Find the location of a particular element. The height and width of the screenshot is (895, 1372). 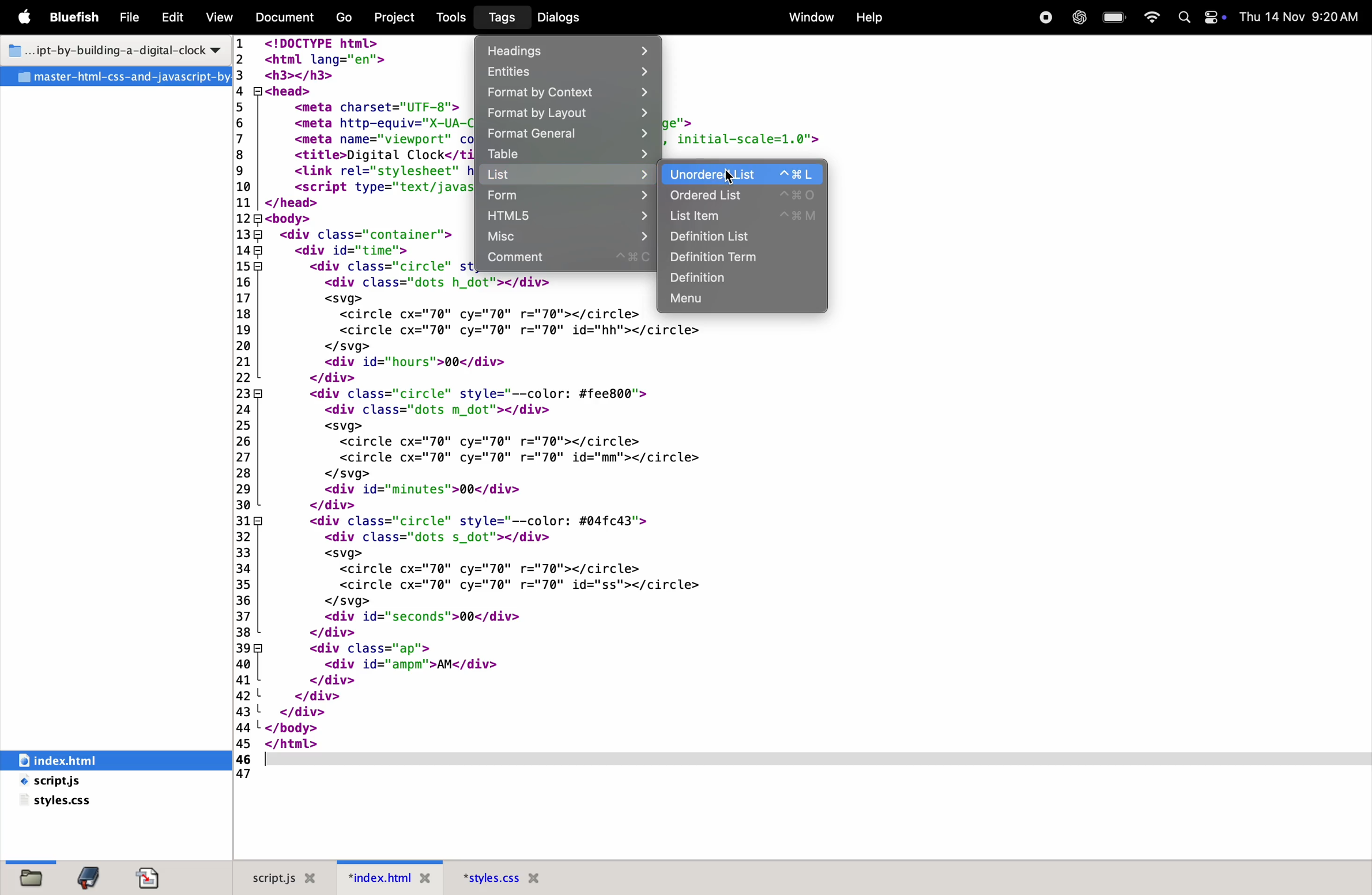

menu is located at coordinates (742, 302).